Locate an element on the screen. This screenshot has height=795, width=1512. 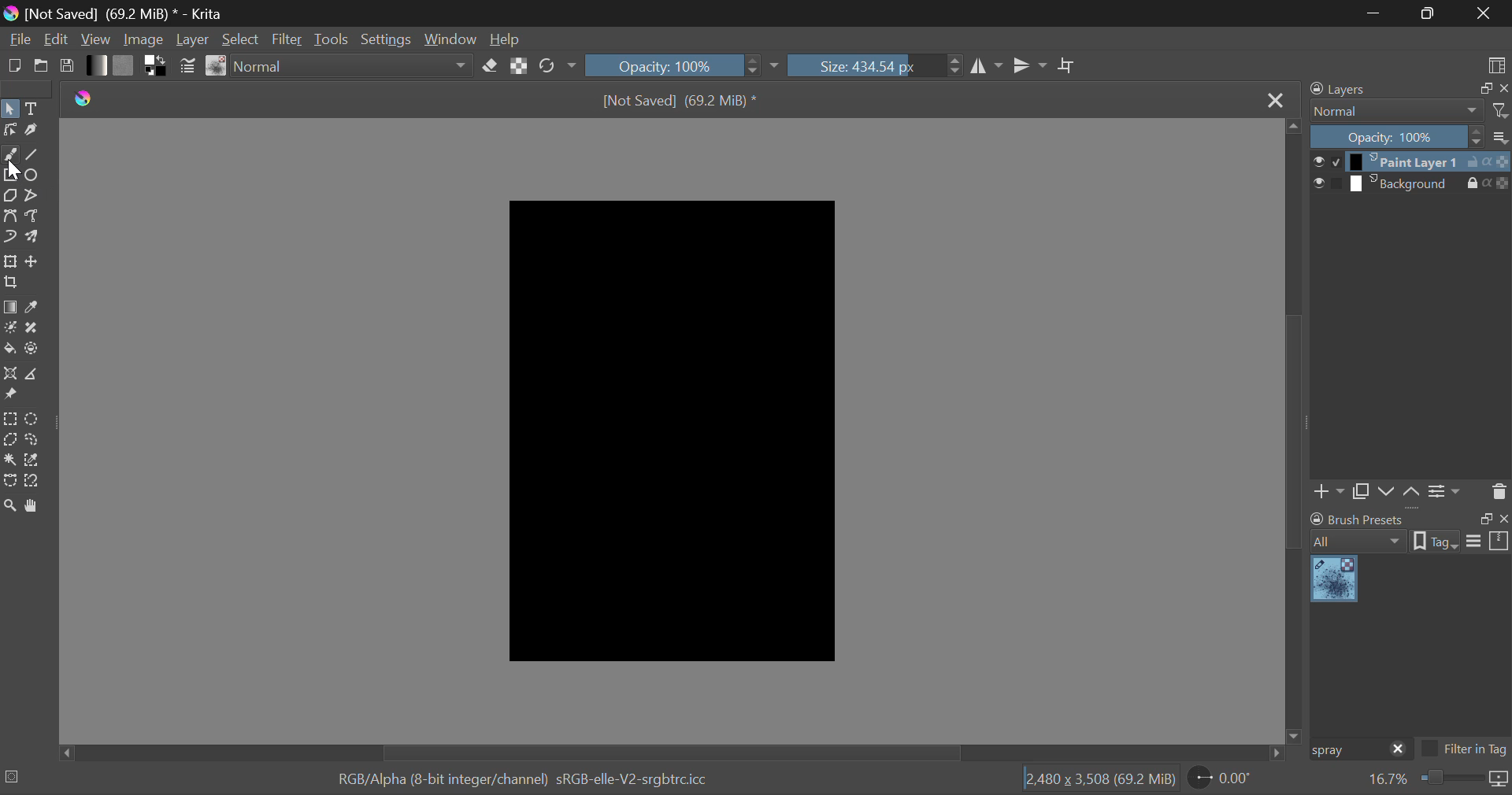
Calligraphic Tool is located at coordinates (34, 130).